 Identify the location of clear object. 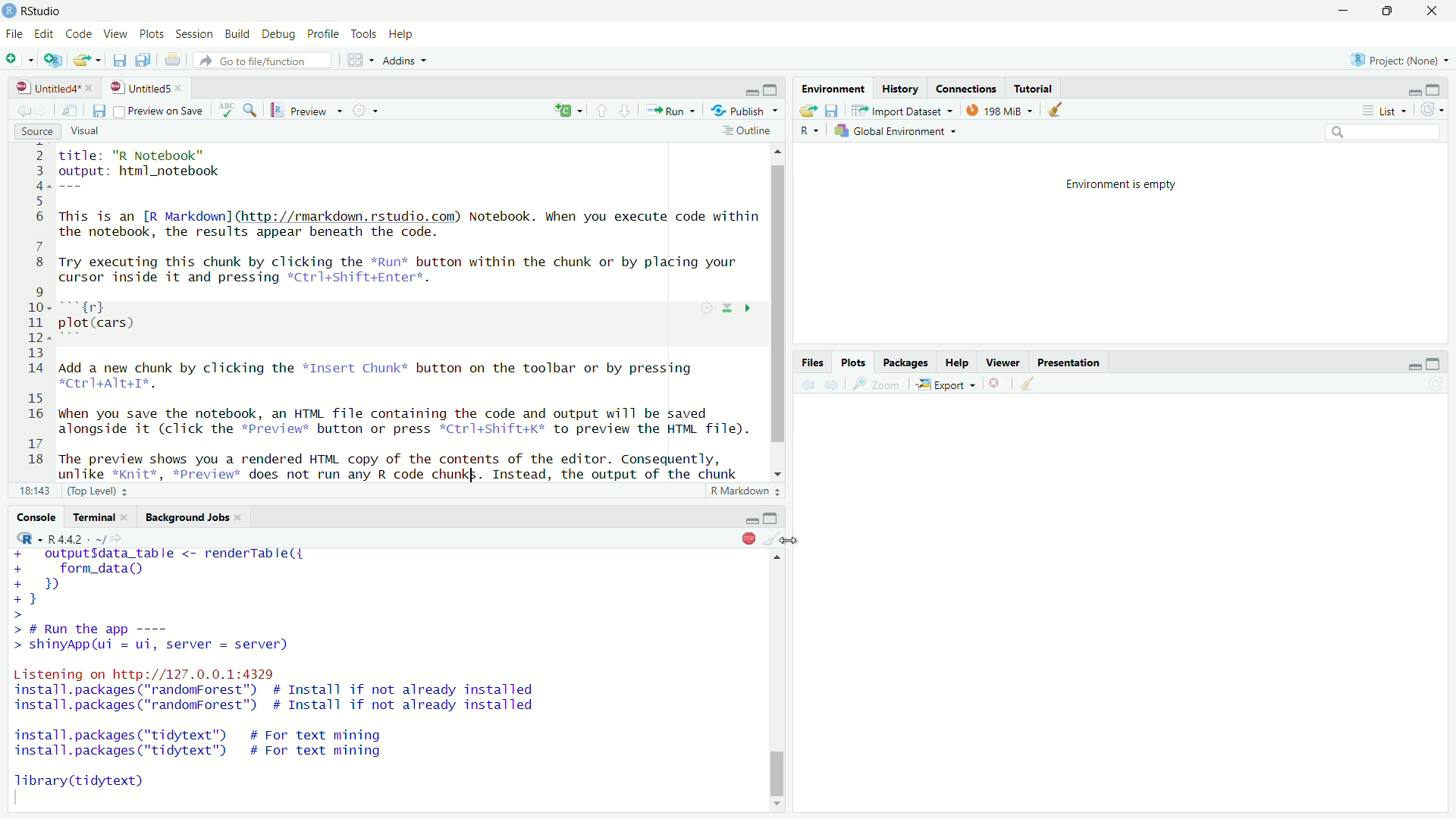
(773, 538).